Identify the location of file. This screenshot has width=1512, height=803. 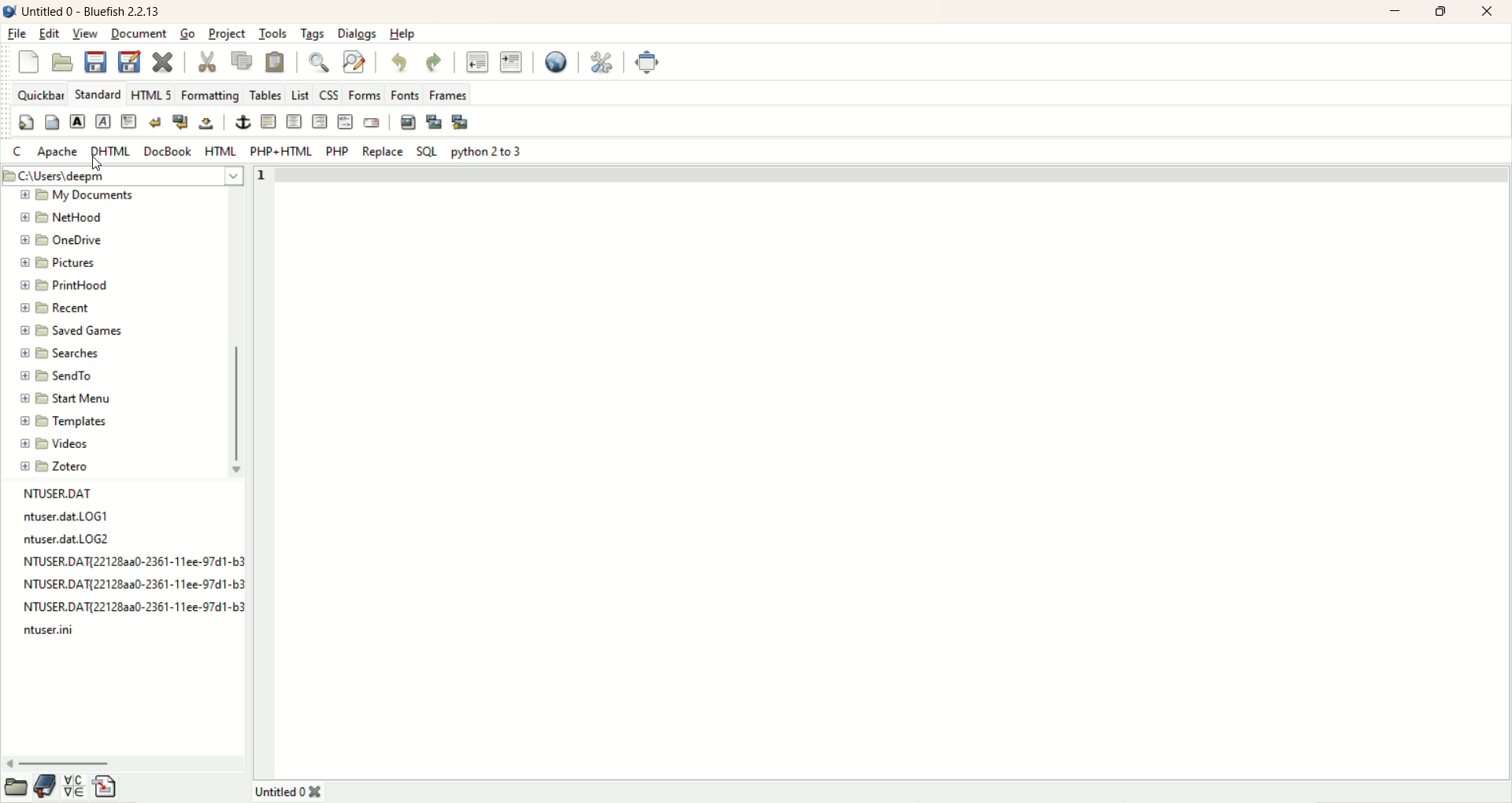
(132, 581).